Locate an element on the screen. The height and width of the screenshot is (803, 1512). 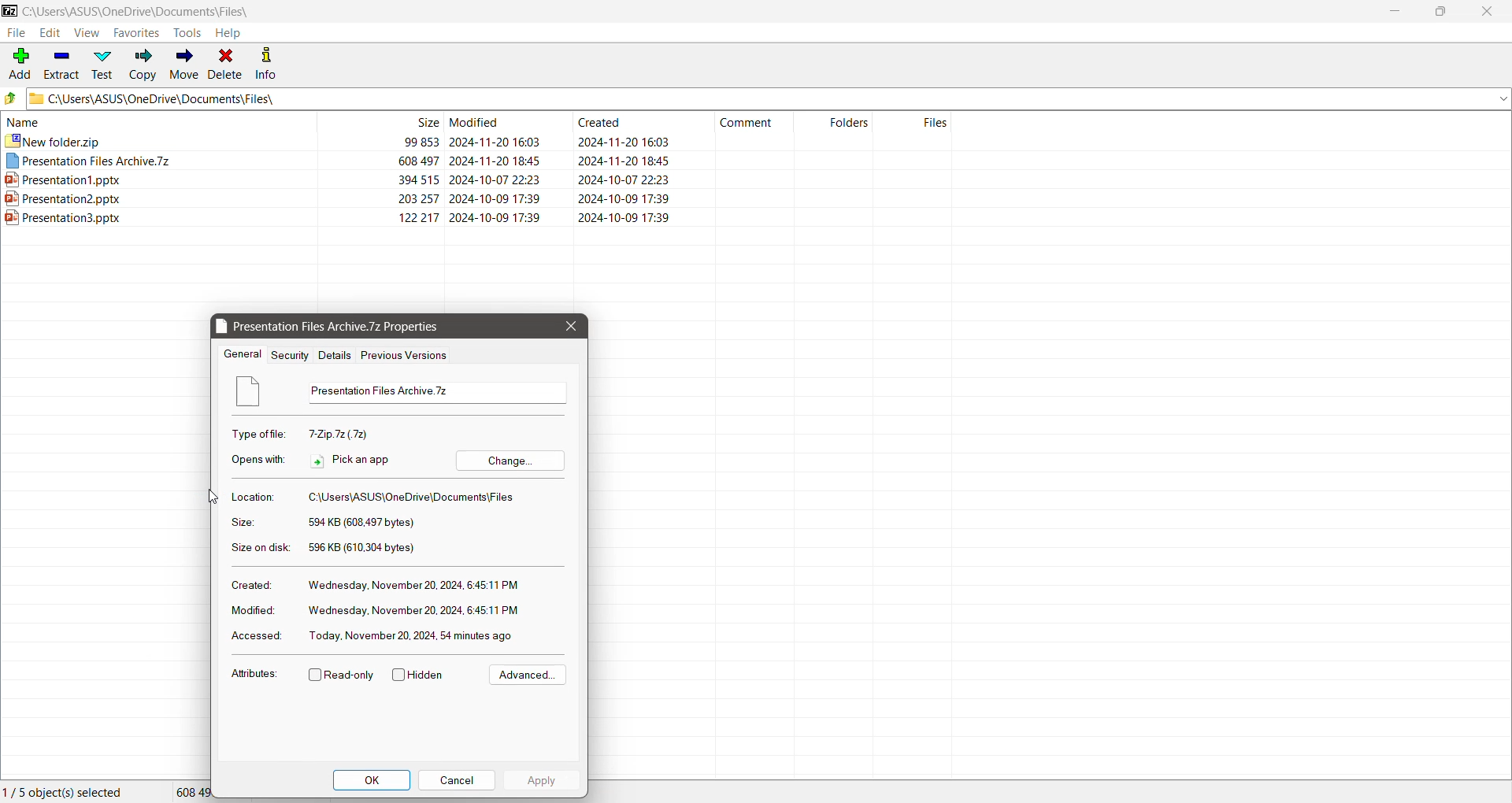
Details is located at coordinates (334, 355).